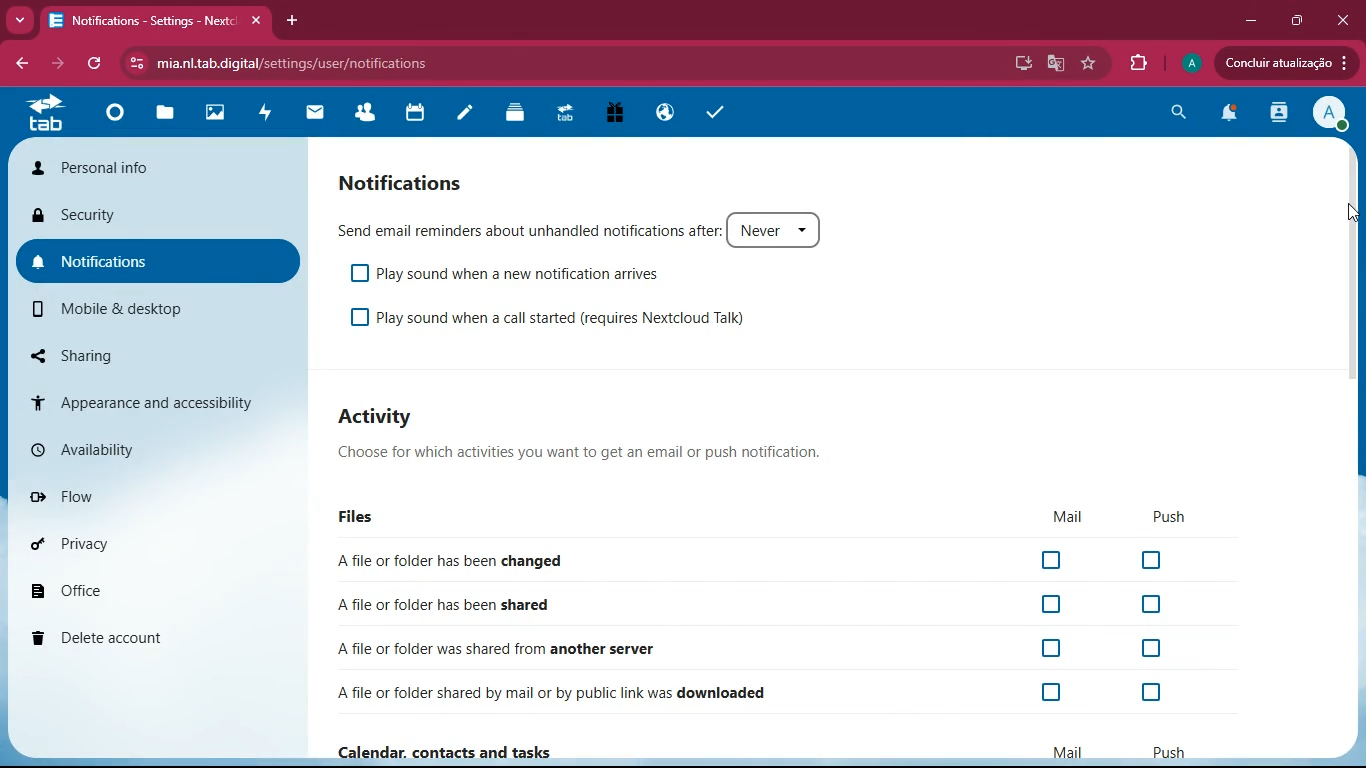 This screenshot has width=1366, height=768. Describe the element at coordinates (292, 19) in the screenshot. I see `add tab` at that location.